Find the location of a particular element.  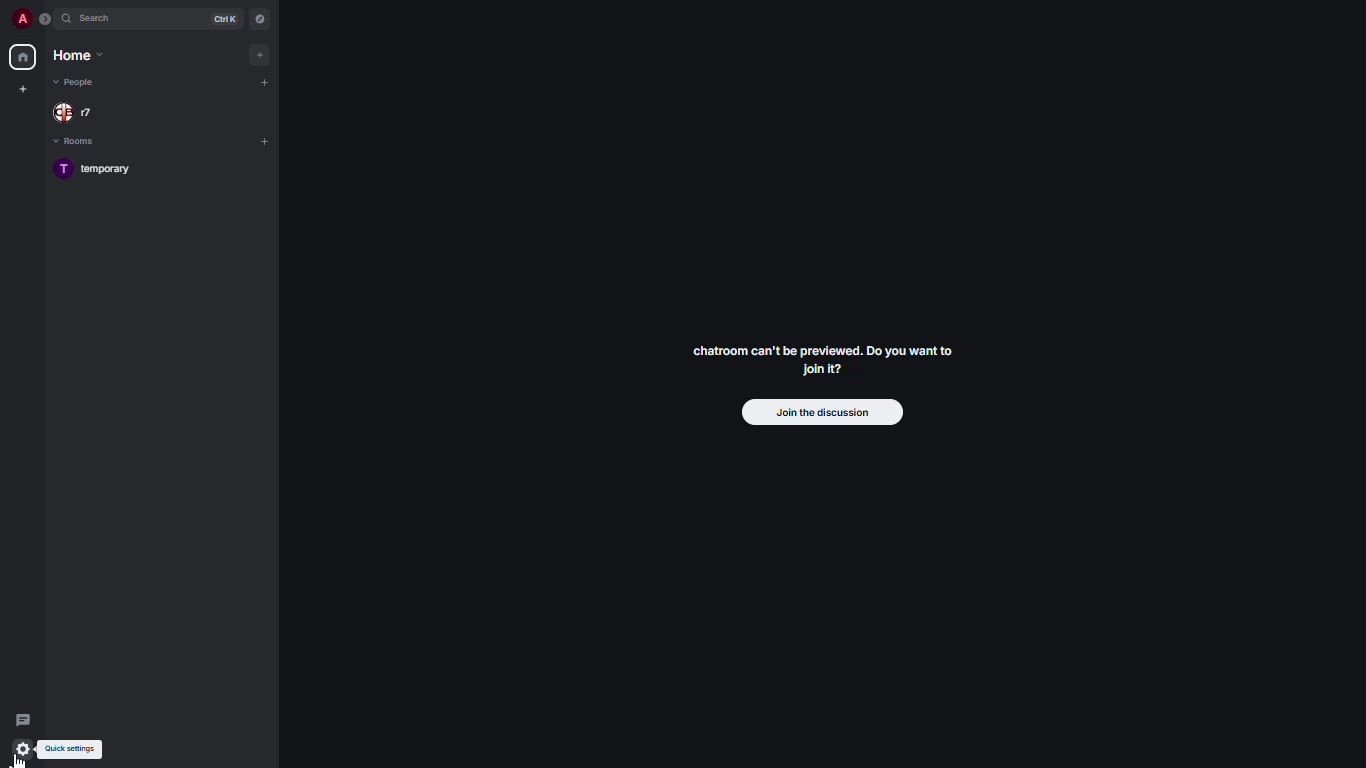

navigator is located at coordinates (262, 18).